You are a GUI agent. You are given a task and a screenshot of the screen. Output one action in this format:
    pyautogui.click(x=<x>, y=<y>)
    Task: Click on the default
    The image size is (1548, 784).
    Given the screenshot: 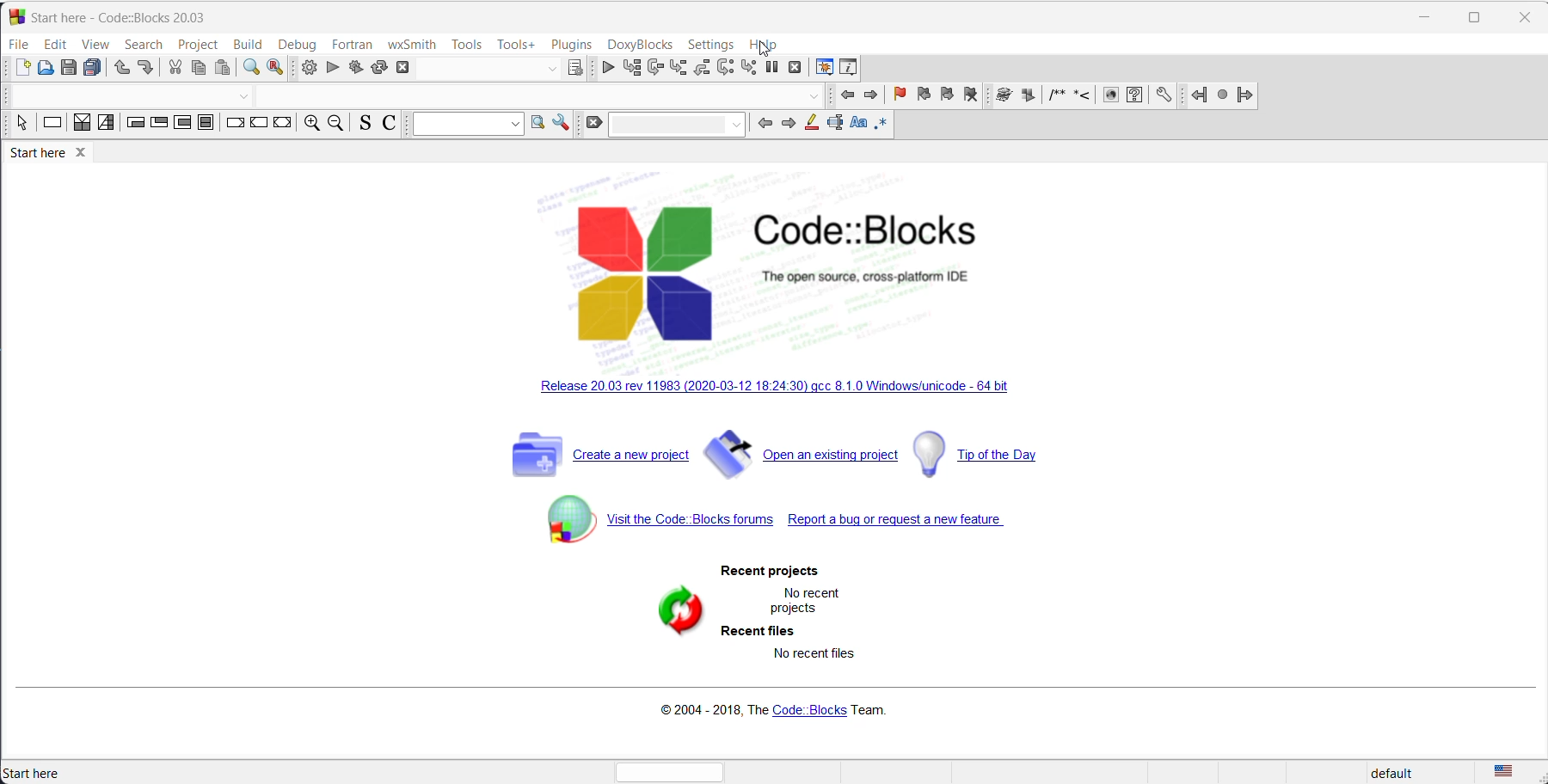 What is the action you would take?
    pyautogui.click(x=1402, y=774)
    